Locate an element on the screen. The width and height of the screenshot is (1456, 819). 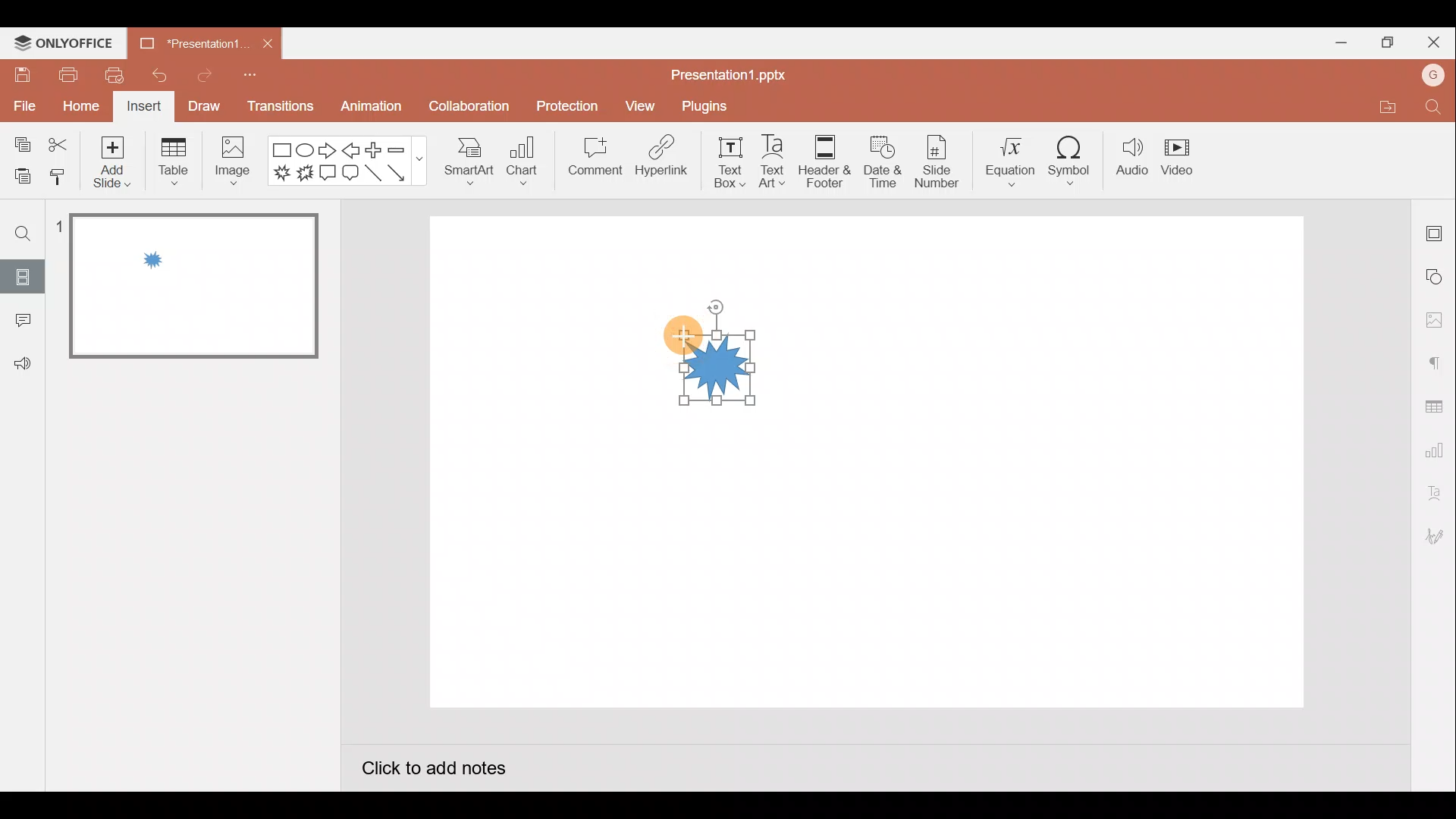
Ellipse is located at coordinates (308, 151).